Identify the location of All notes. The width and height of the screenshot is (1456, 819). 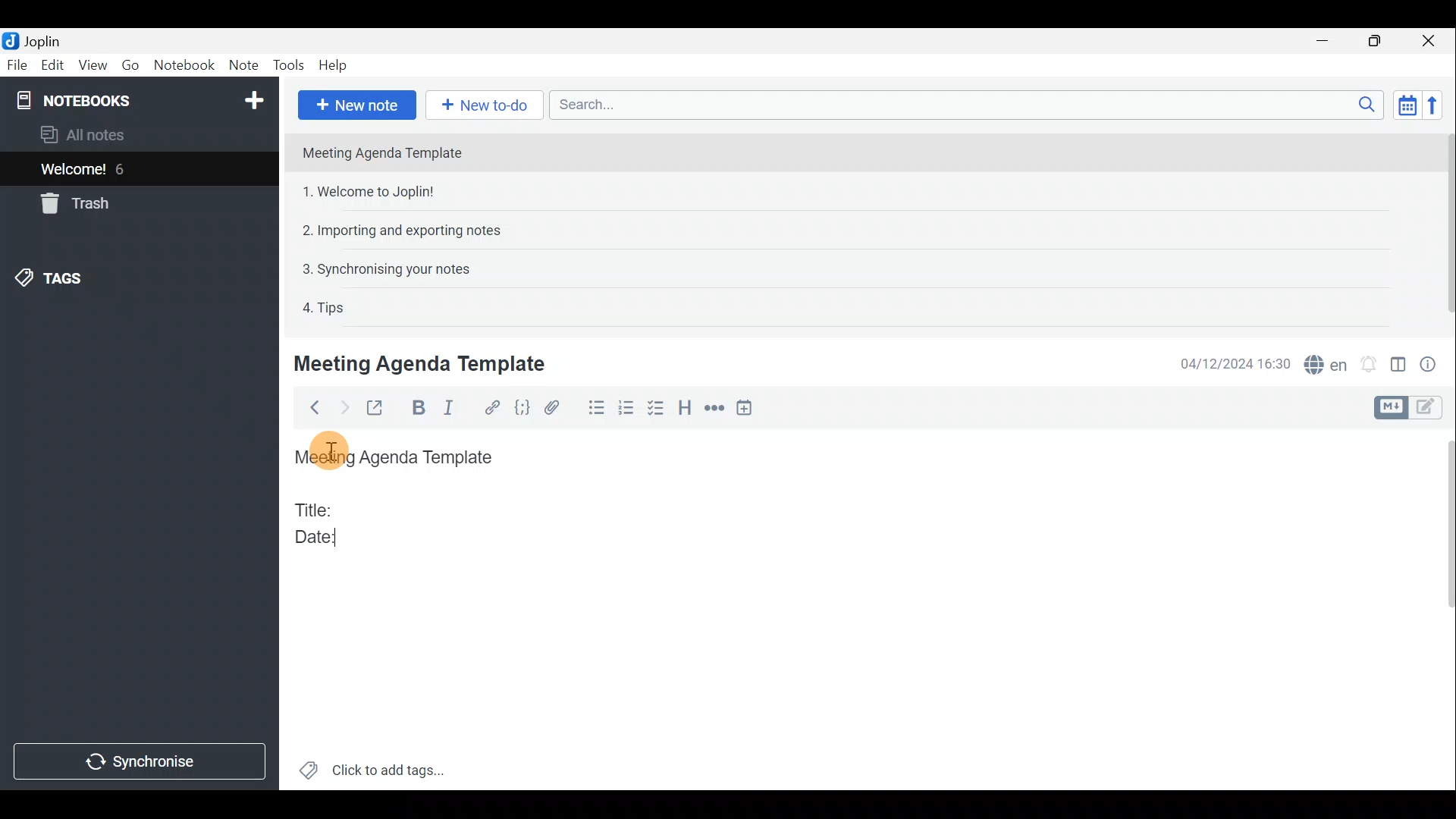
(108, 134).